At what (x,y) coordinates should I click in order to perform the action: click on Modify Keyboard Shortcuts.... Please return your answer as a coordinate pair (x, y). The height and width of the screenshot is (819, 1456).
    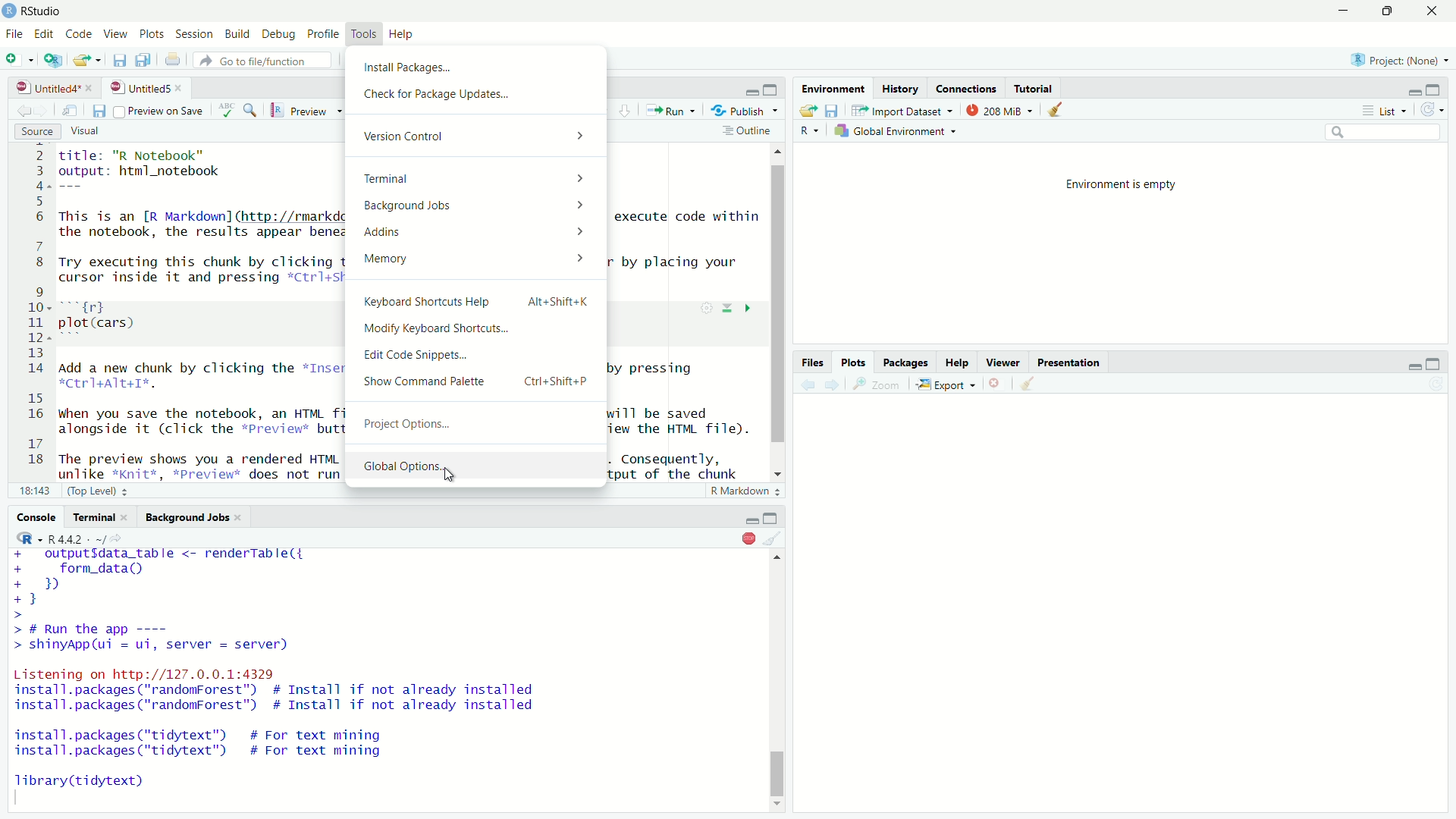
    Looking at the image, I should click on (473, 328).